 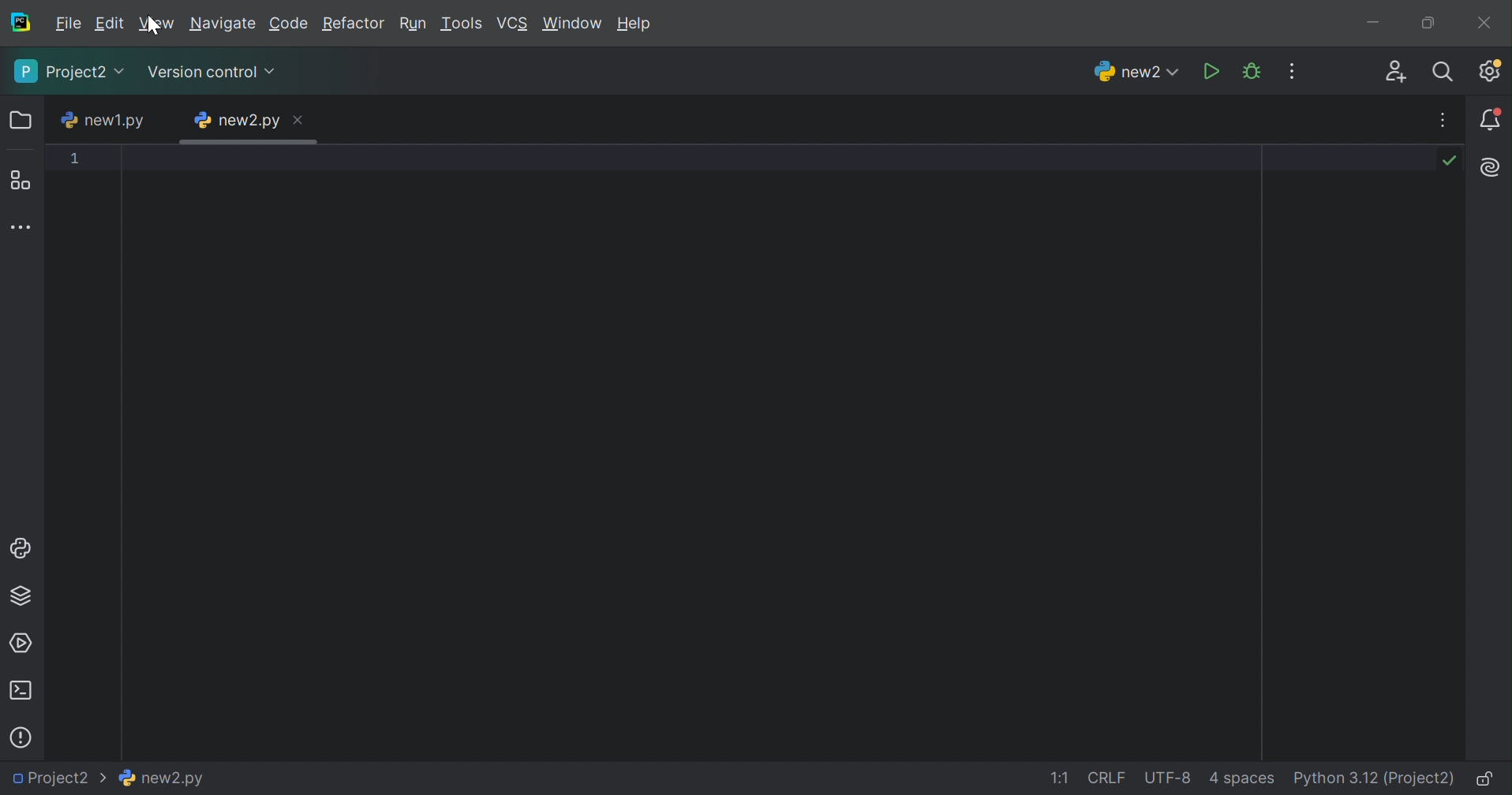 I want to click on Project2, so click(x=58, y=778).